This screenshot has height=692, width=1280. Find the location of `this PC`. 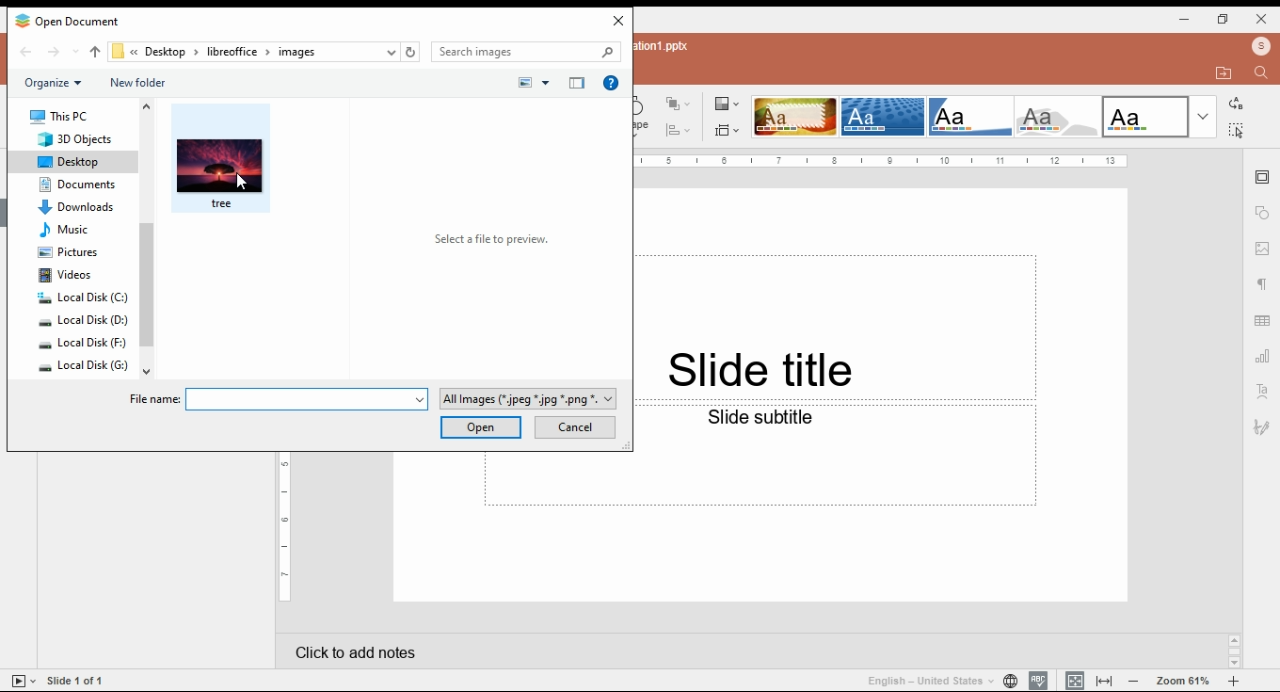

this PC is located at coordinates (60, 116).